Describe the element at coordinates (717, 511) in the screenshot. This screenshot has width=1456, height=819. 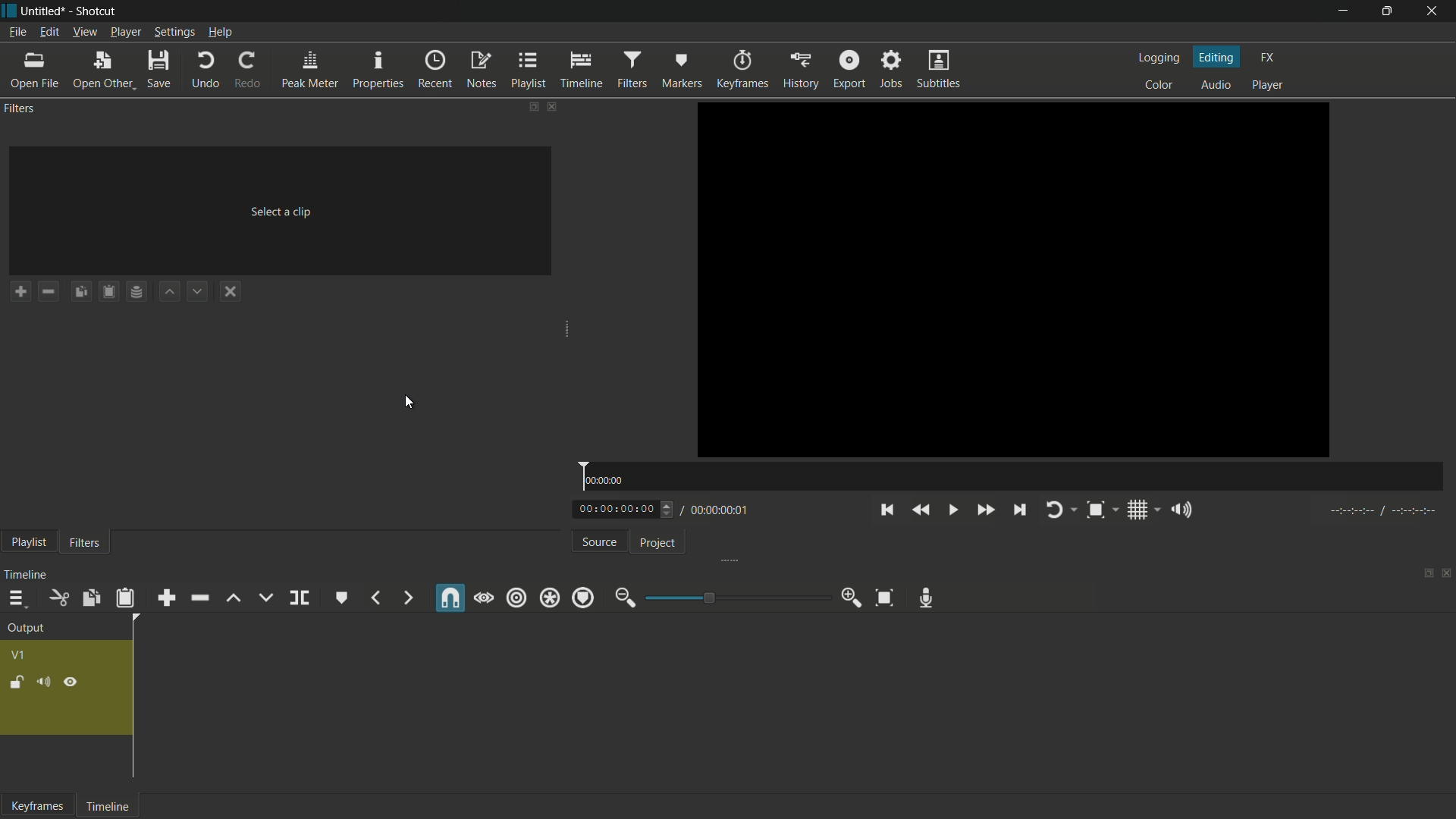
I see `total time` at that location.